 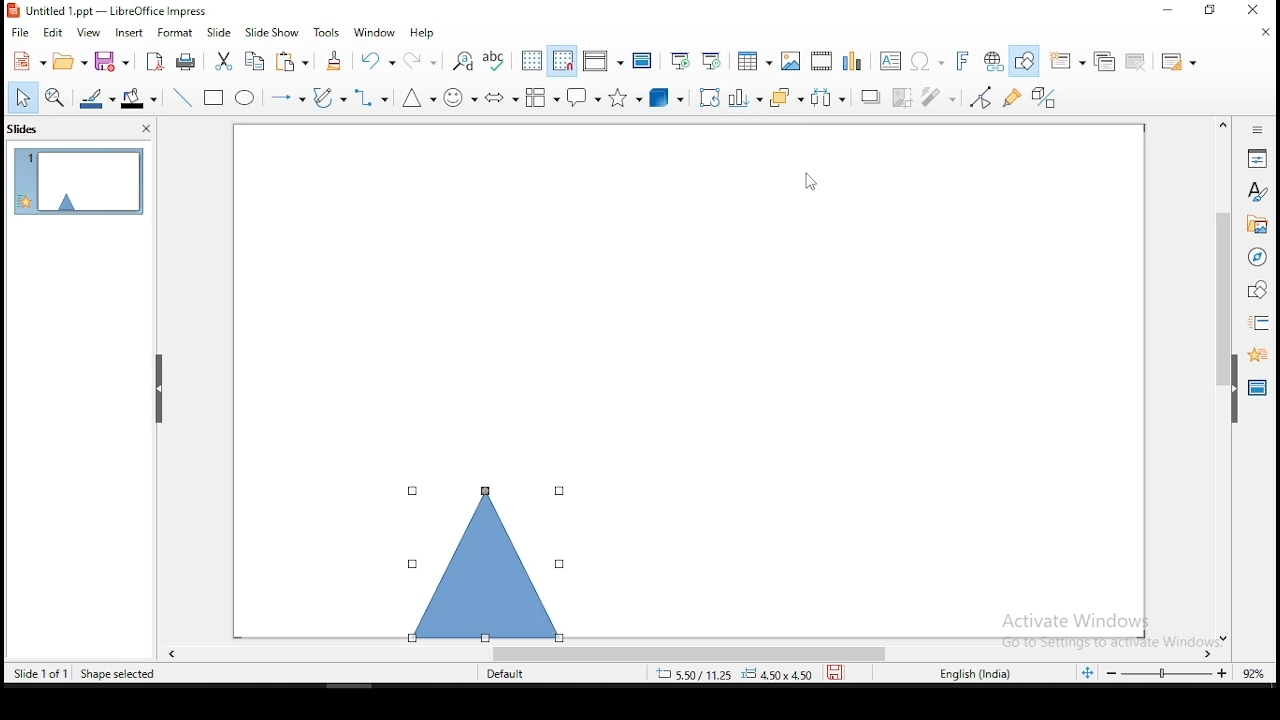 I want to click on snap to grids, so click(x=565, y=59).